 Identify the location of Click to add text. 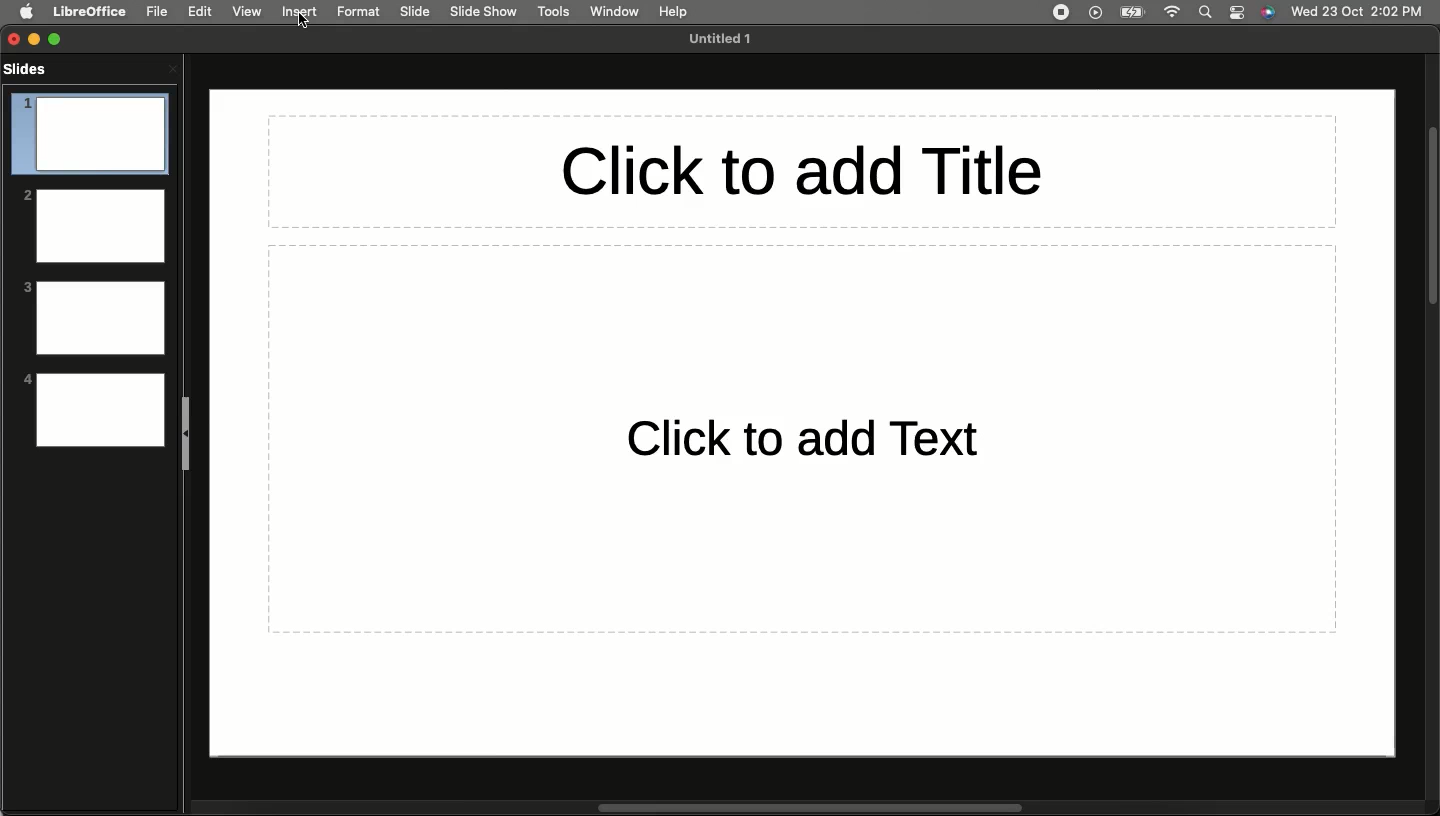
(801, 437).